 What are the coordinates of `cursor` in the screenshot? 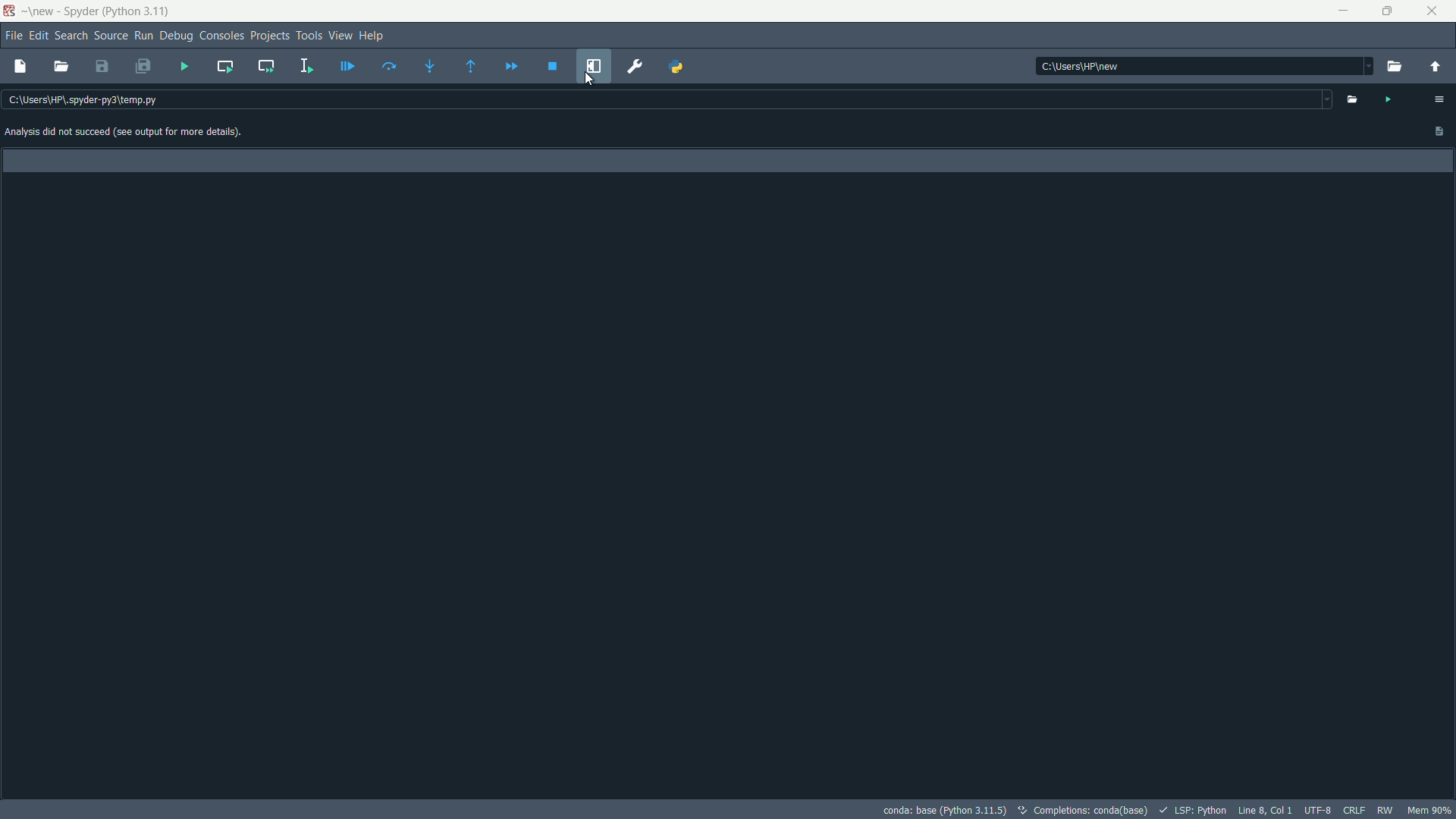 It's located at (591, 78).